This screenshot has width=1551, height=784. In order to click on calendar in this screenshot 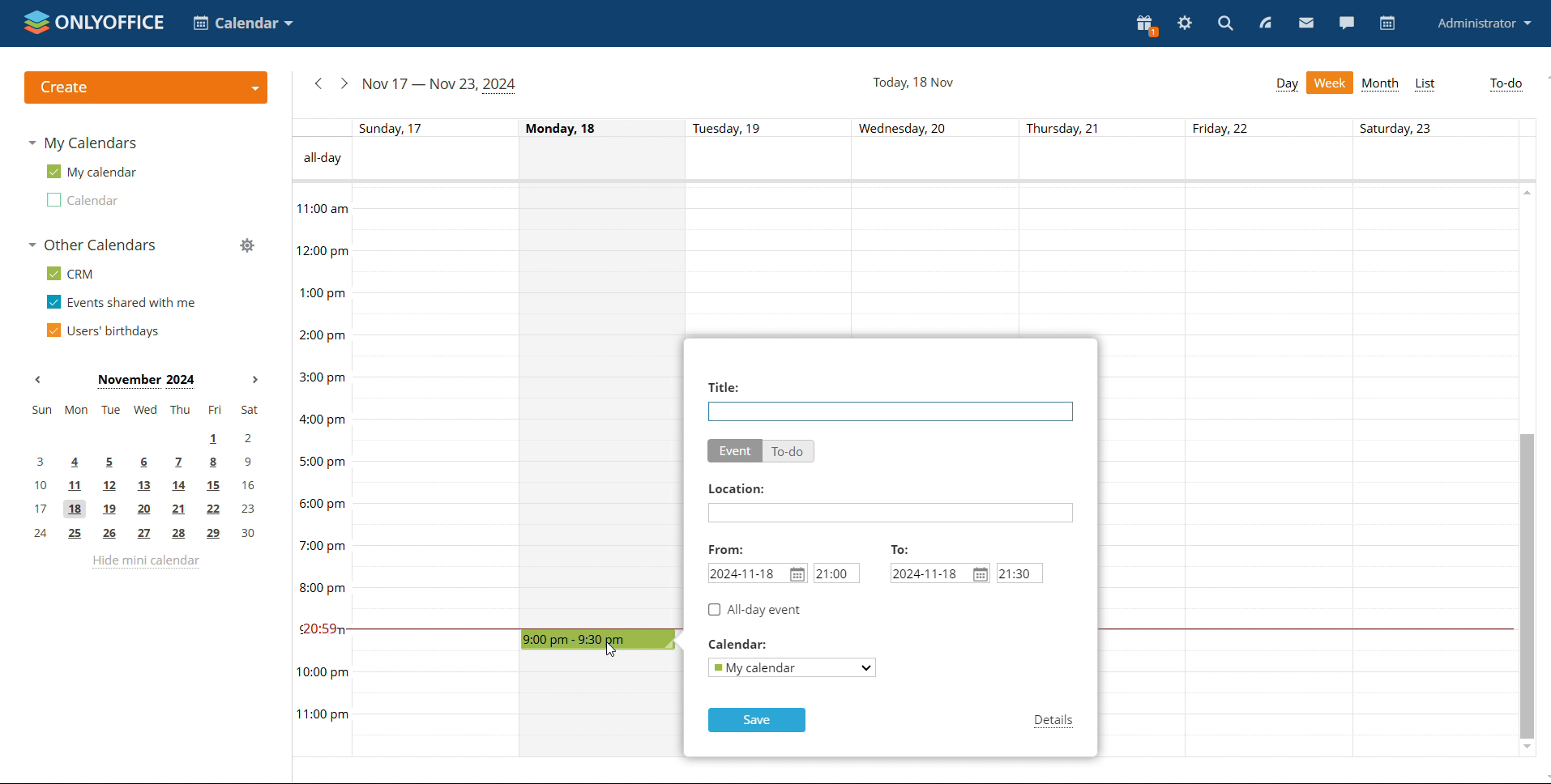, I will do `click(738, 645)`.